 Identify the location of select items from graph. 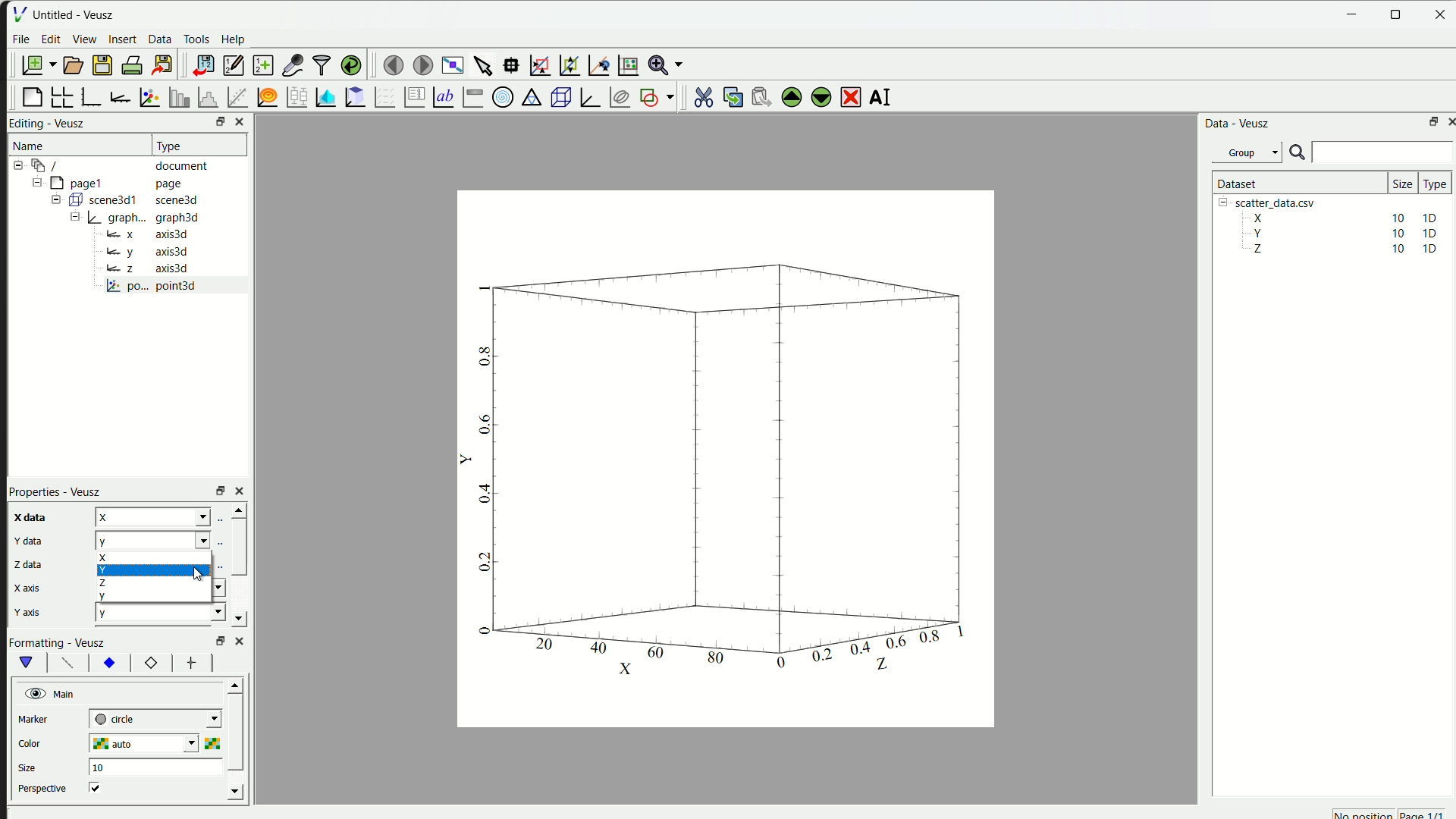
(482, 63).